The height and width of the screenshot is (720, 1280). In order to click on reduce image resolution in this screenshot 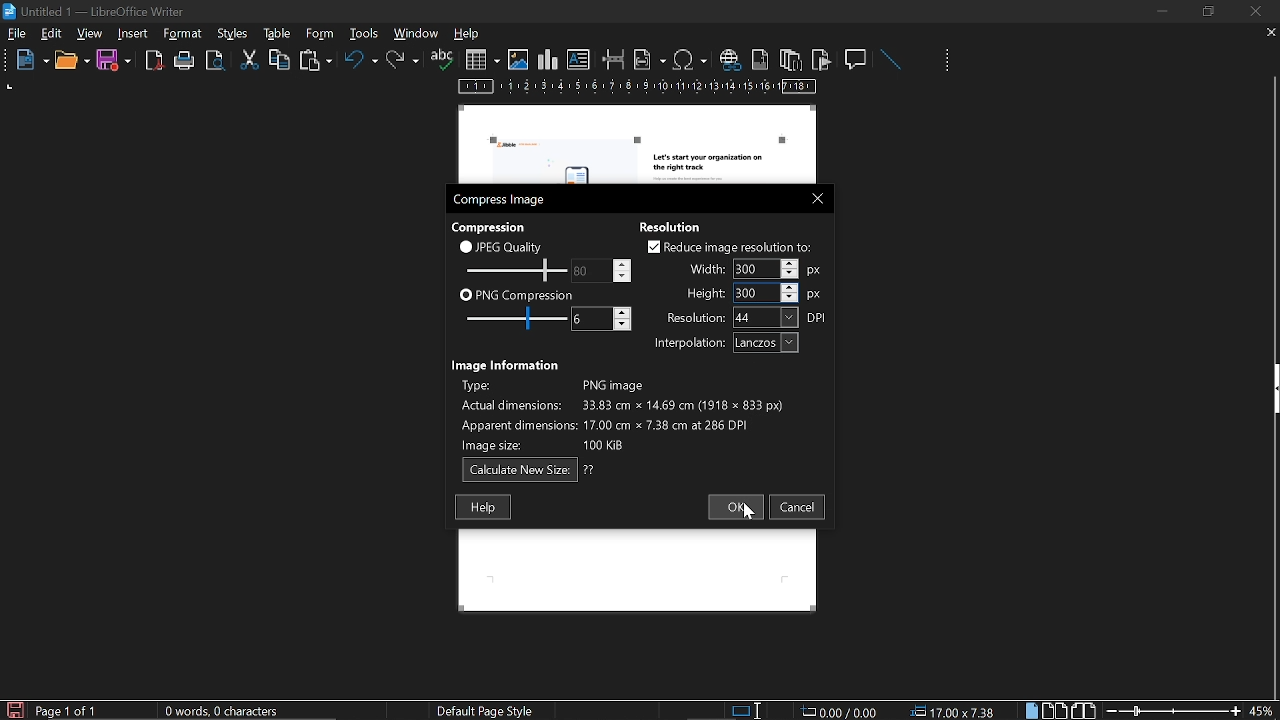, I will do `click(730, 246)`.